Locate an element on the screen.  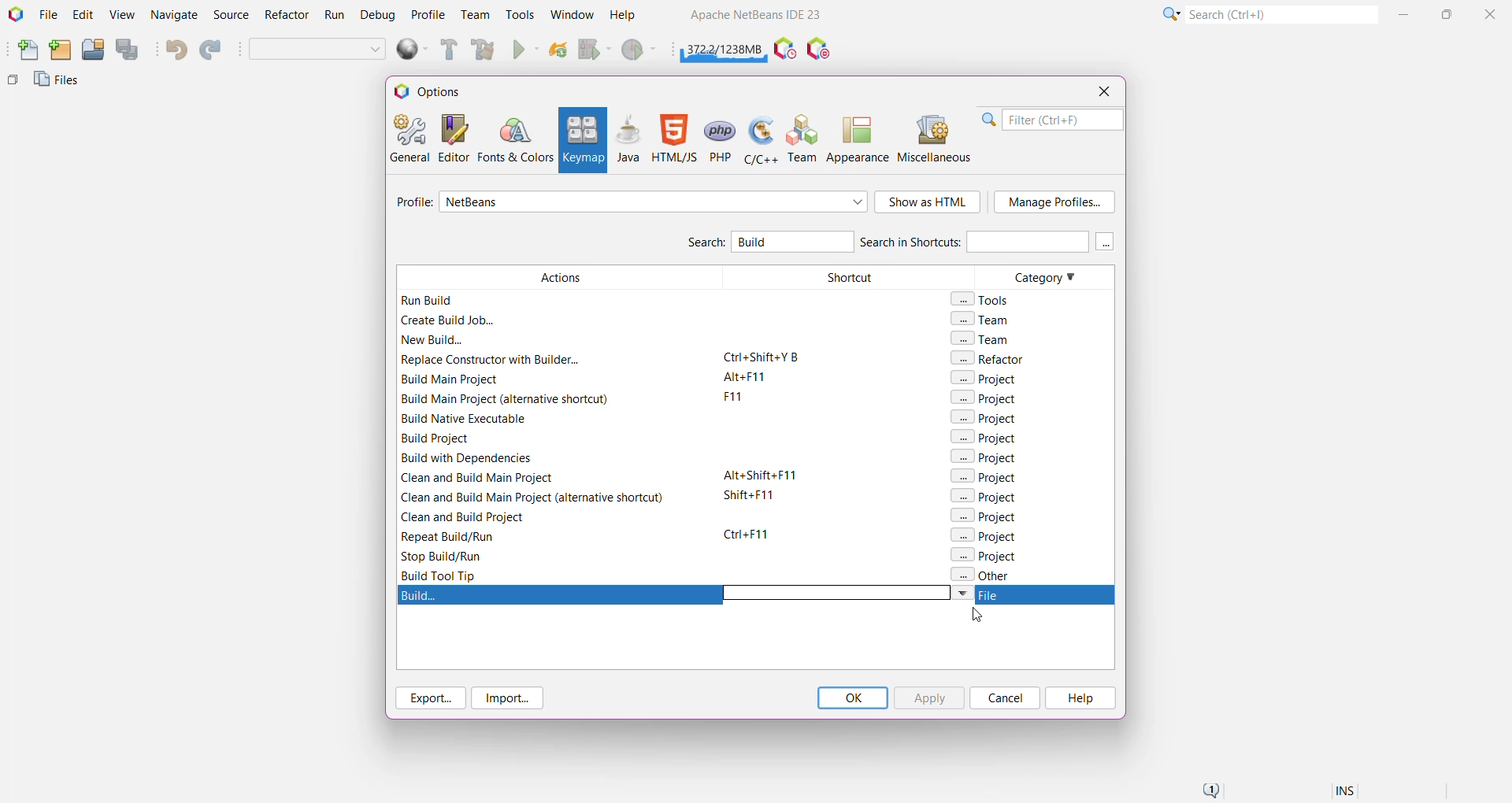
Source is located at coordinates (233, 15).